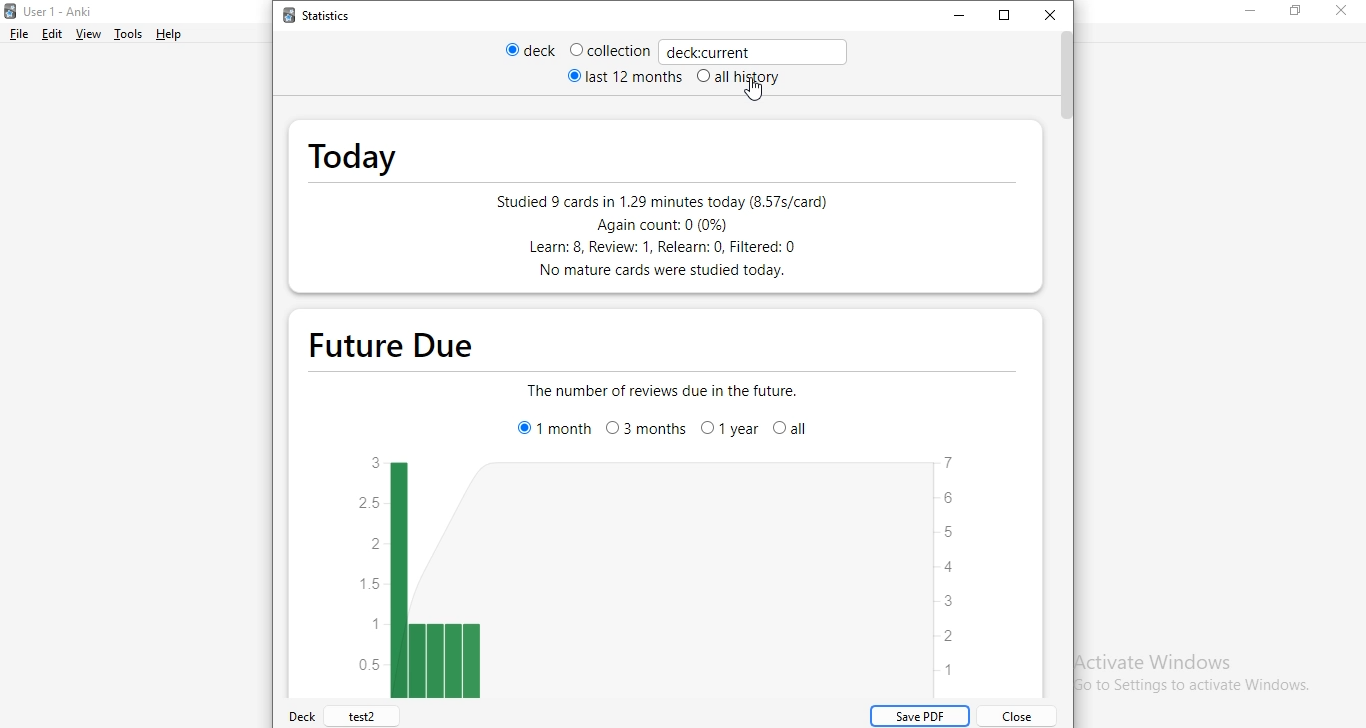 This screenshot has height=728, width=1366. Describe the element at coordinates (652, 578) in the screenshot. I see `graph` at that location.